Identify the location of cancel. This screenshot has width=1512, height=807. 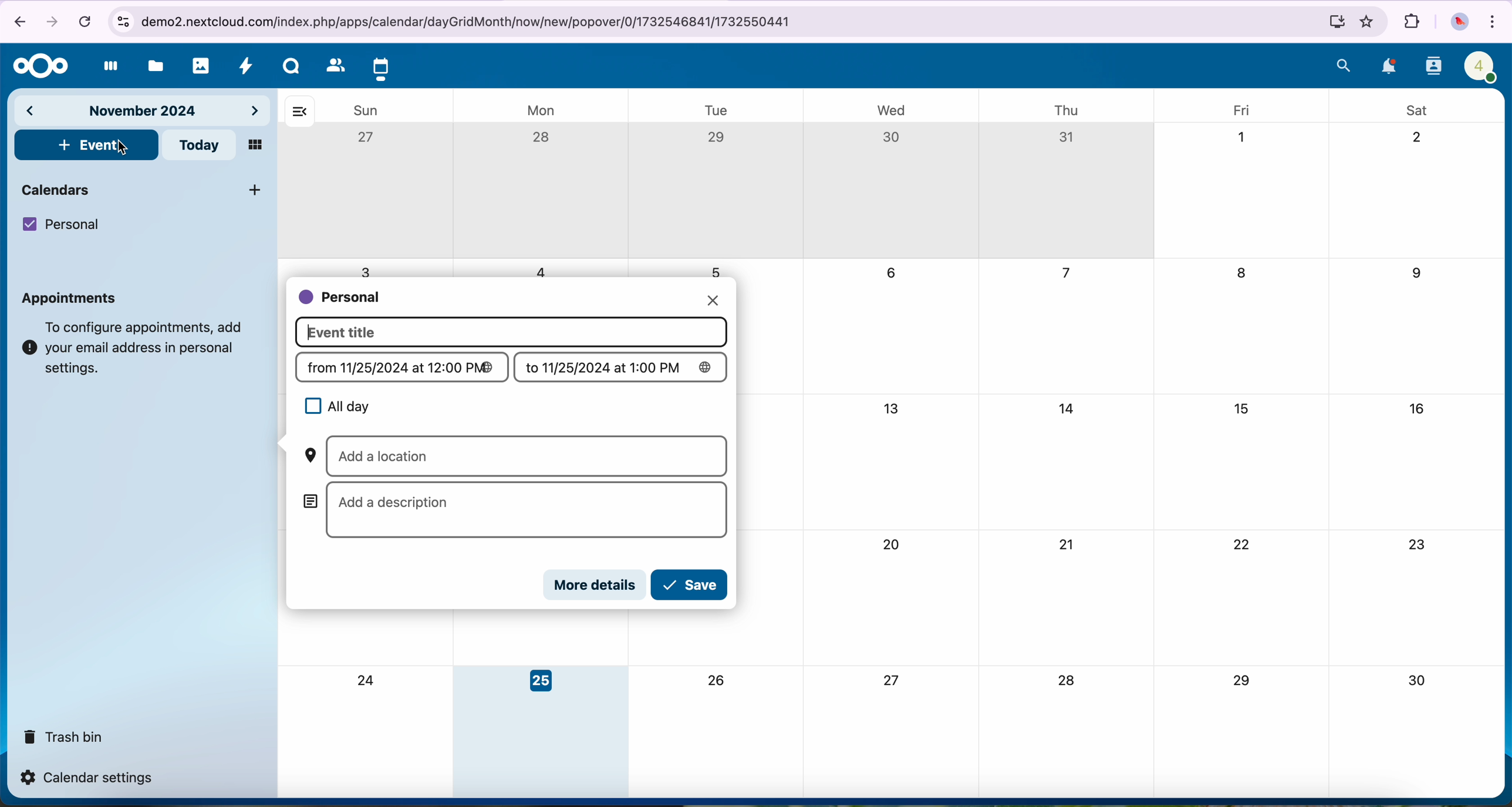
(84, 23).